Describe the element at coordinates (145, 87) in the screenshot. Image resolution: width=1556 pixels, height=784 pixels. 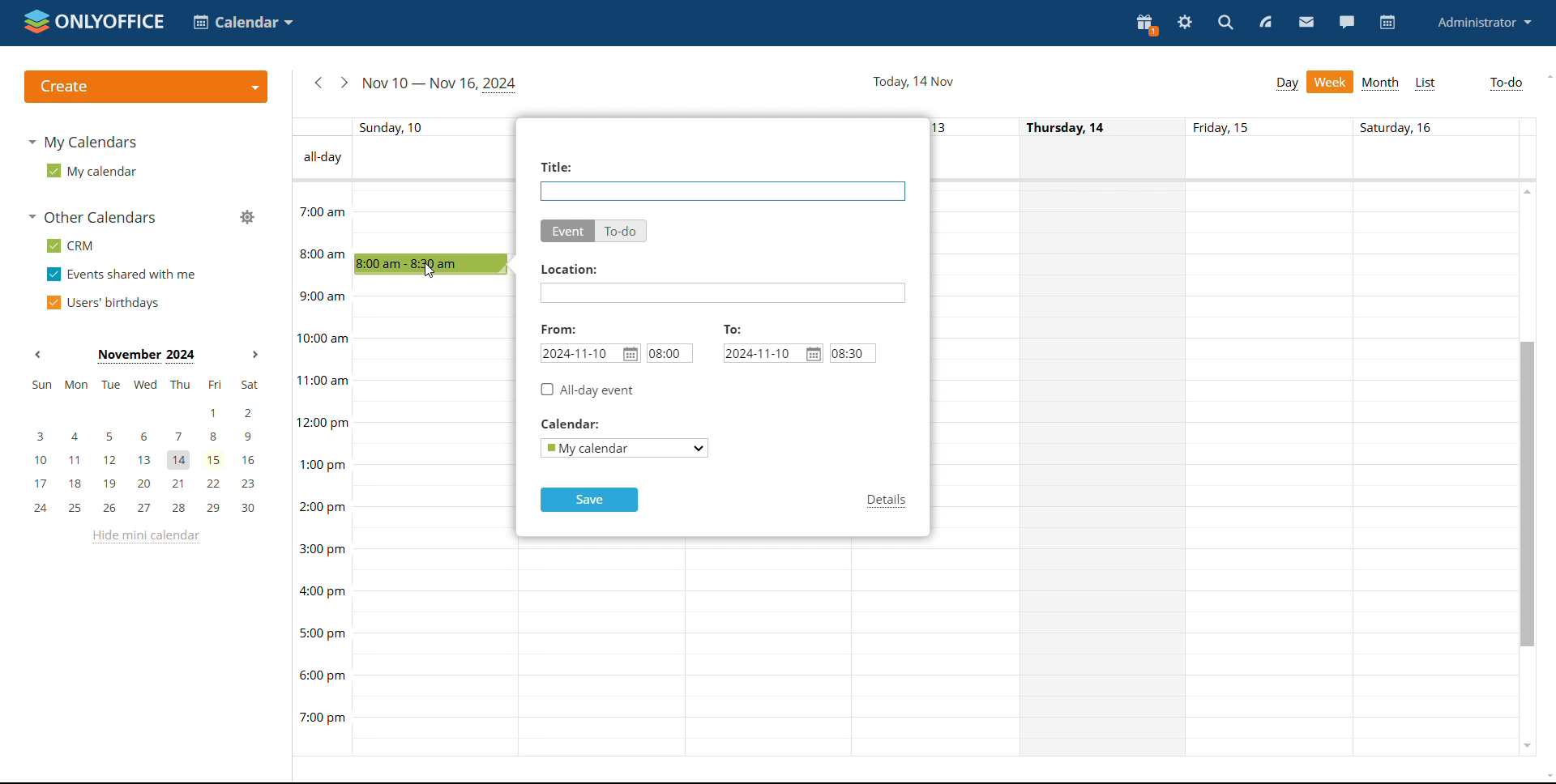
I see `create` at that location.